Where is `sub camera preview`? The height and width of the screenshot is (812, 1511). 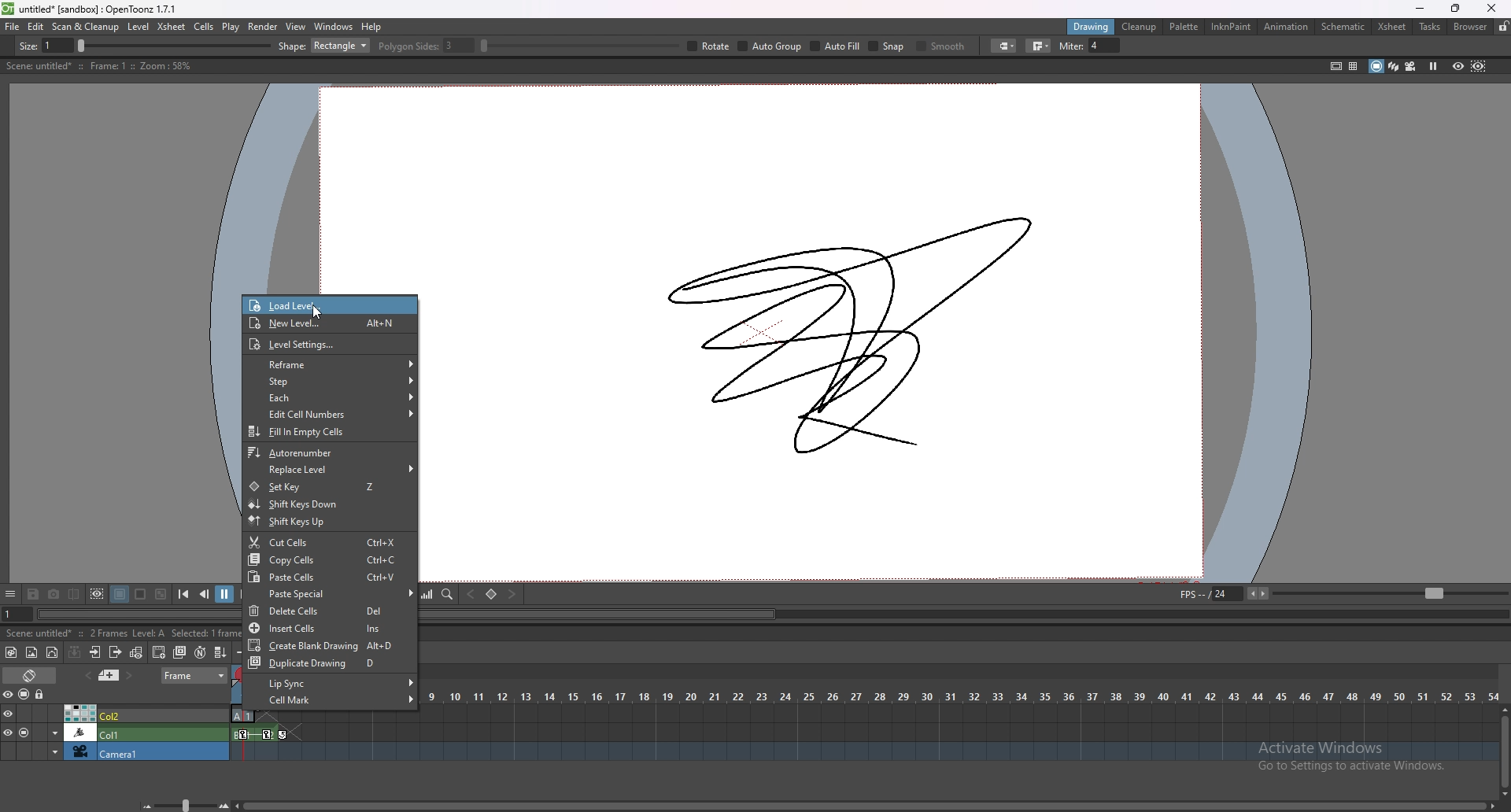
sub camera preview is located at coordinates (1479, 65).